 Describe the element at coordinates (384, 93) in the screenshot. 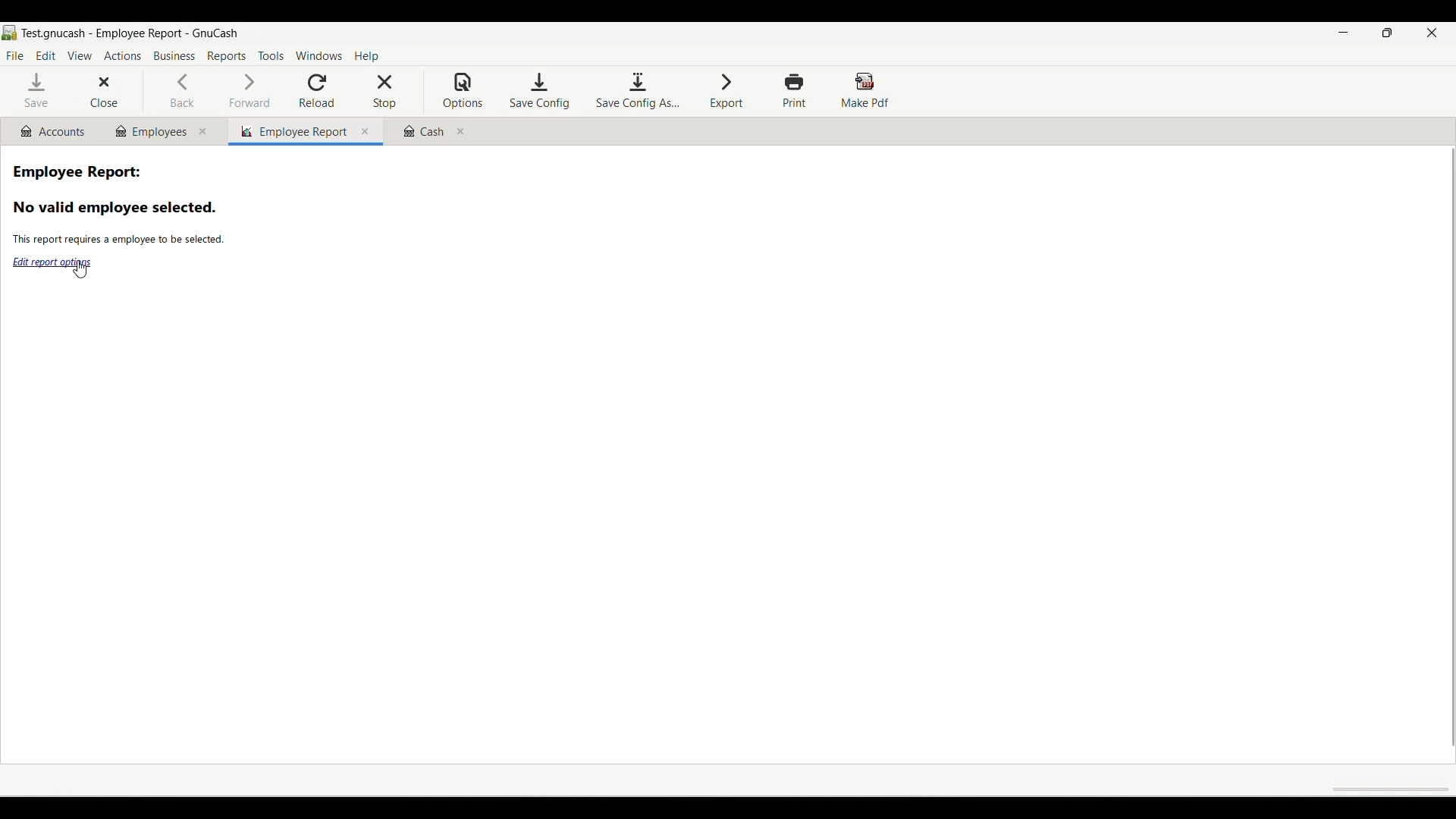

I see `Stop` at that location.